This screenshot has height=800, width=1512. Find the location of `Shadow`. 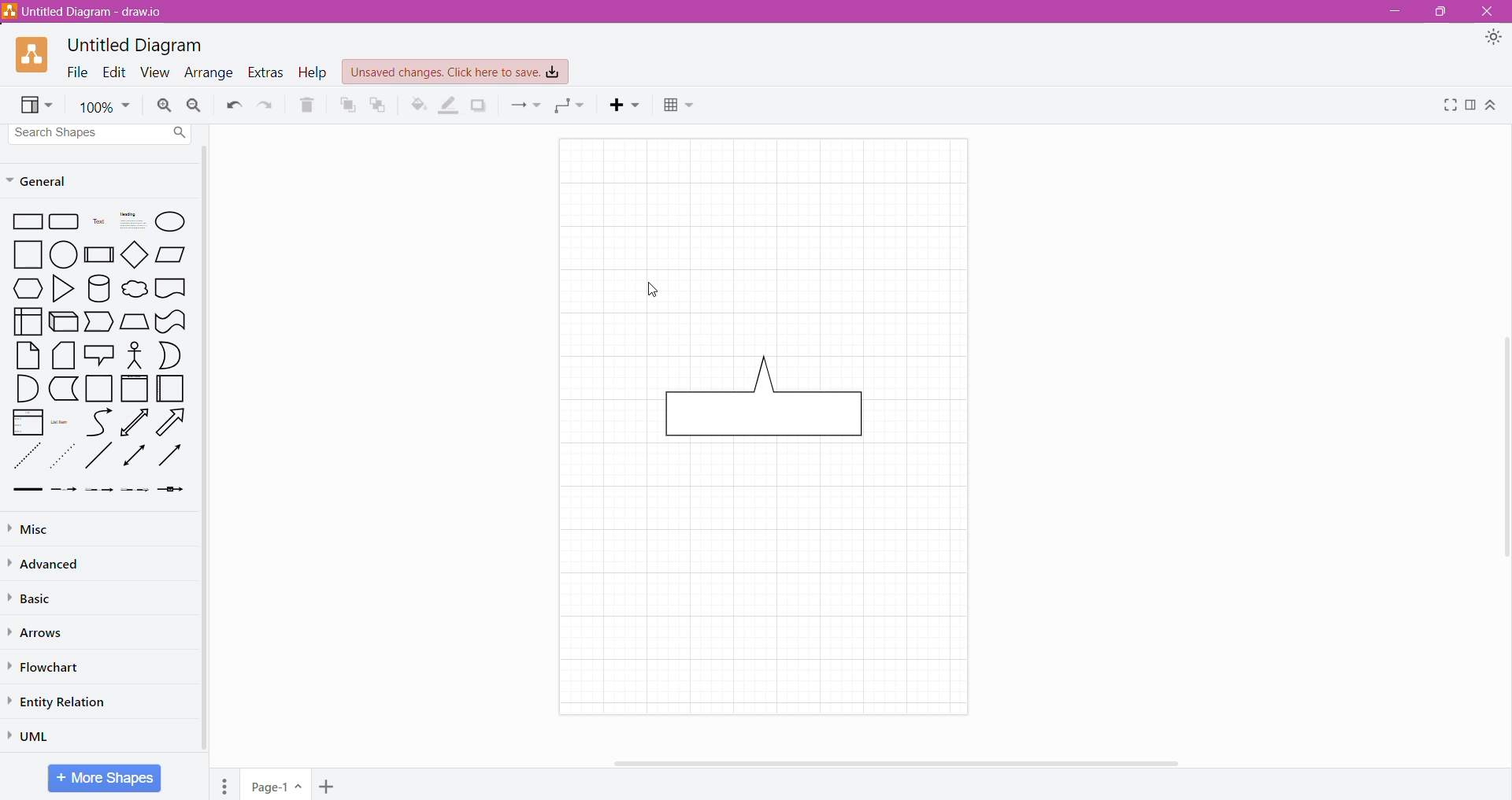

Shadow is located at coordinates (478, 106).